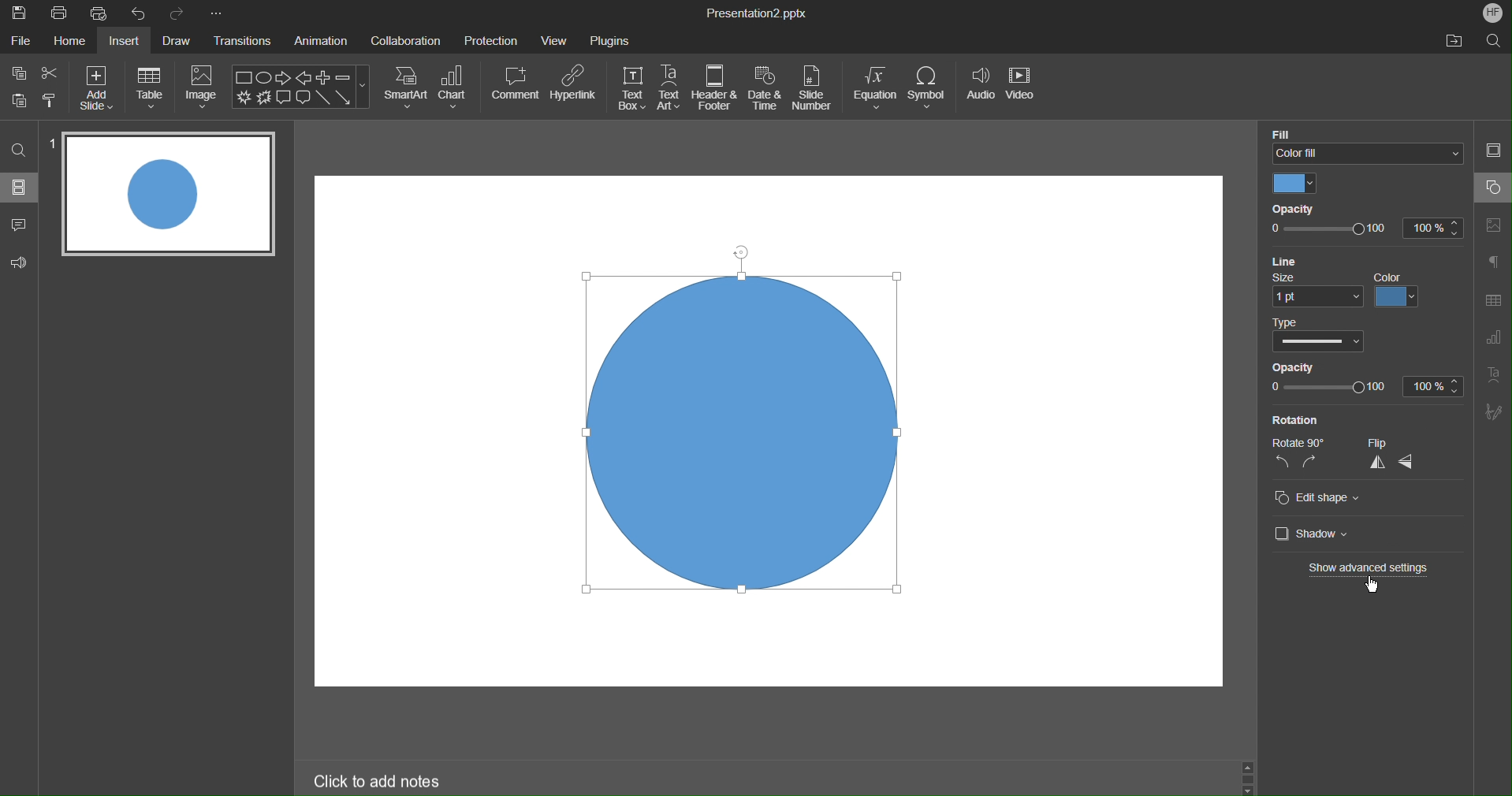 The height and width of the screenshot is (796, 1512). I want to click on Text Box, so click(631, 88).